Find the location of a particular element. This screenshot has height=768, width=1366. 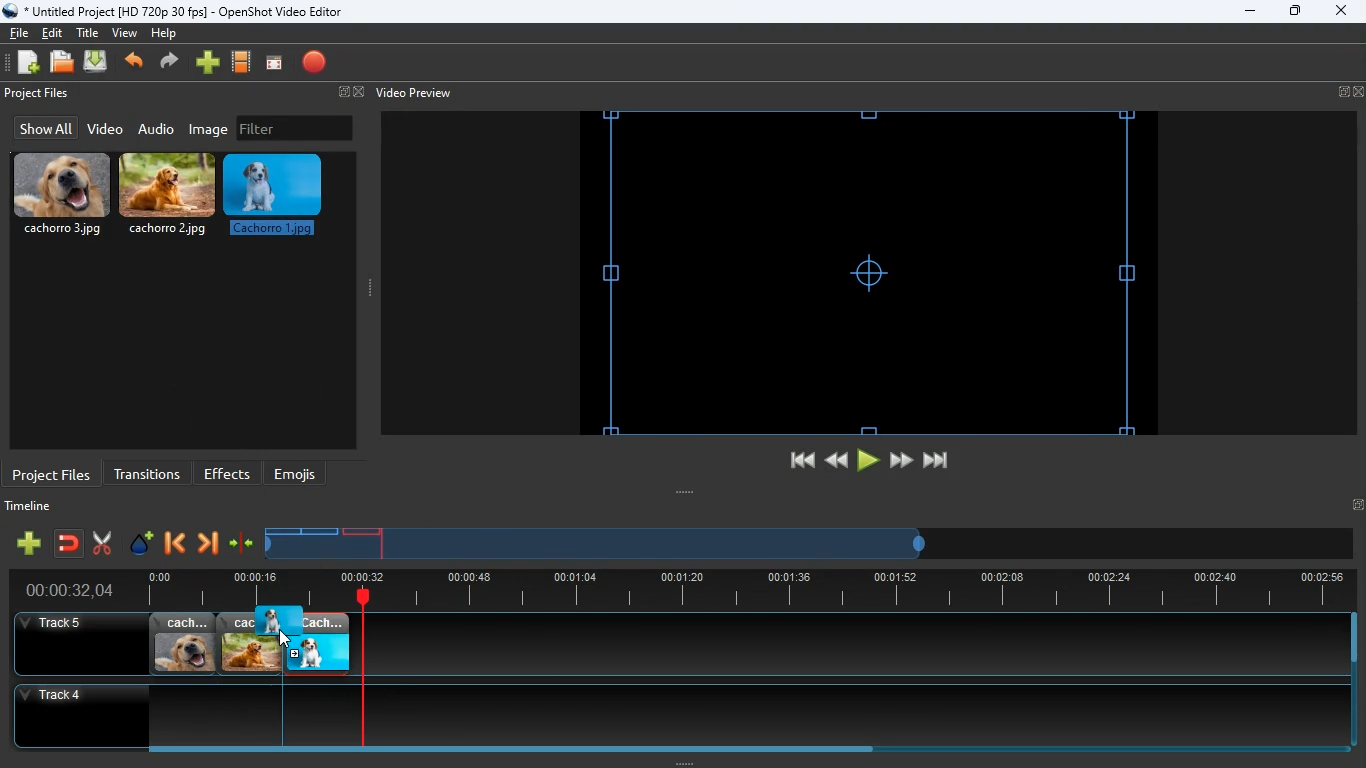

video is located at coordinates (104, 130).